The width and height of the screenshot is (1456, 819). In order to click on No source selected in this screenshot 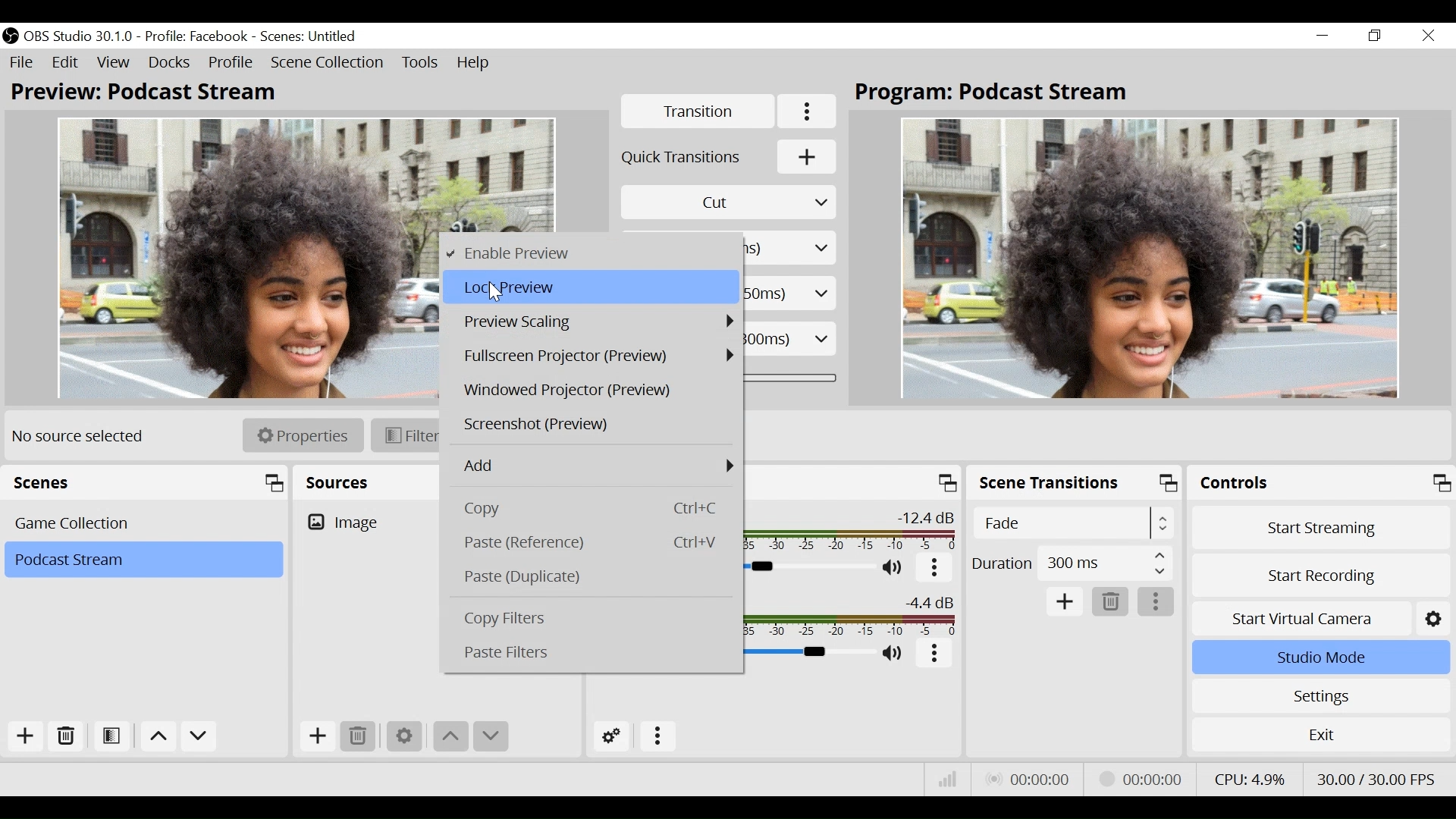, I will do `click(83, 436)`.